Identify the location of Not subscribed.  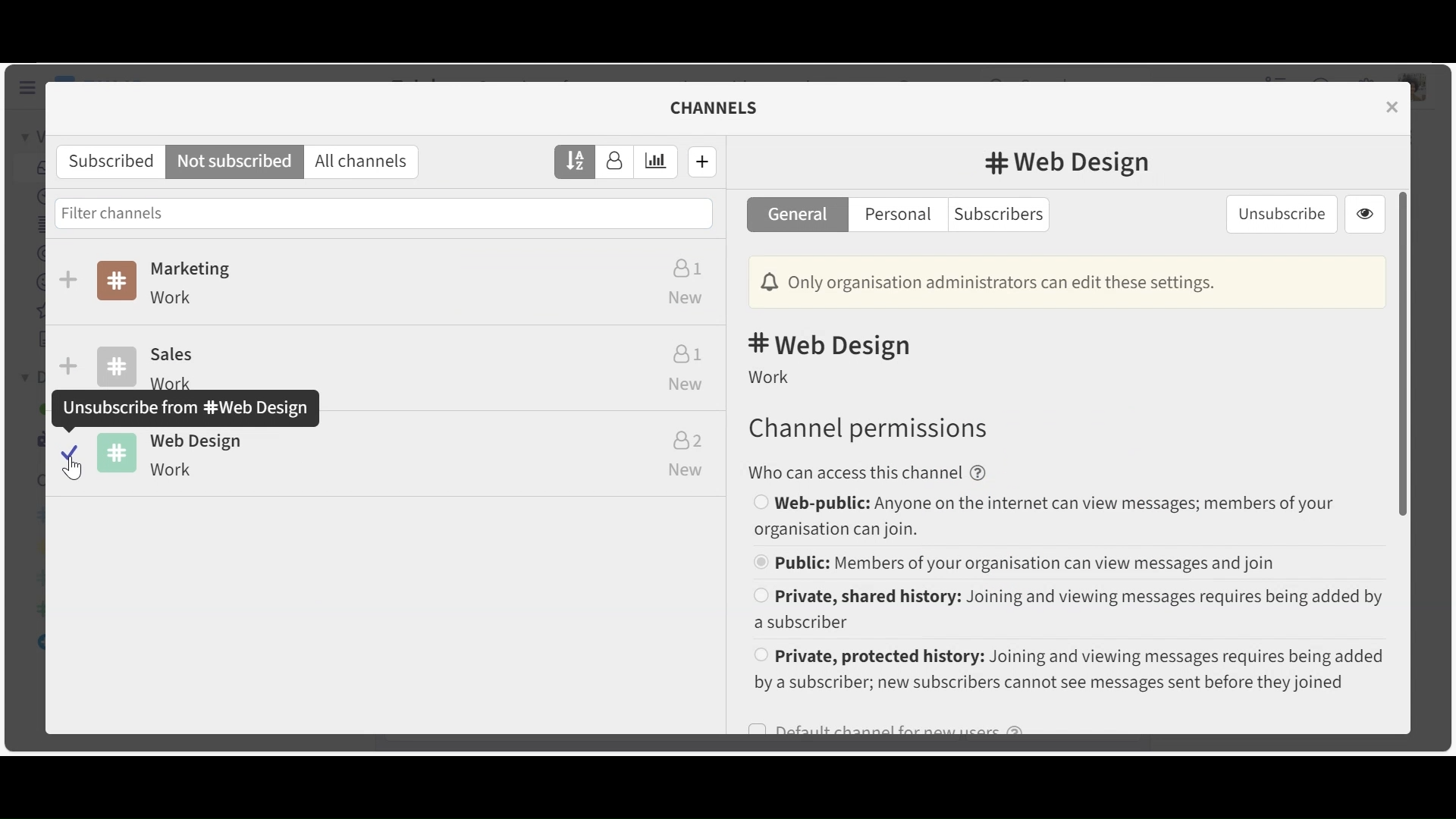
(236, 162).